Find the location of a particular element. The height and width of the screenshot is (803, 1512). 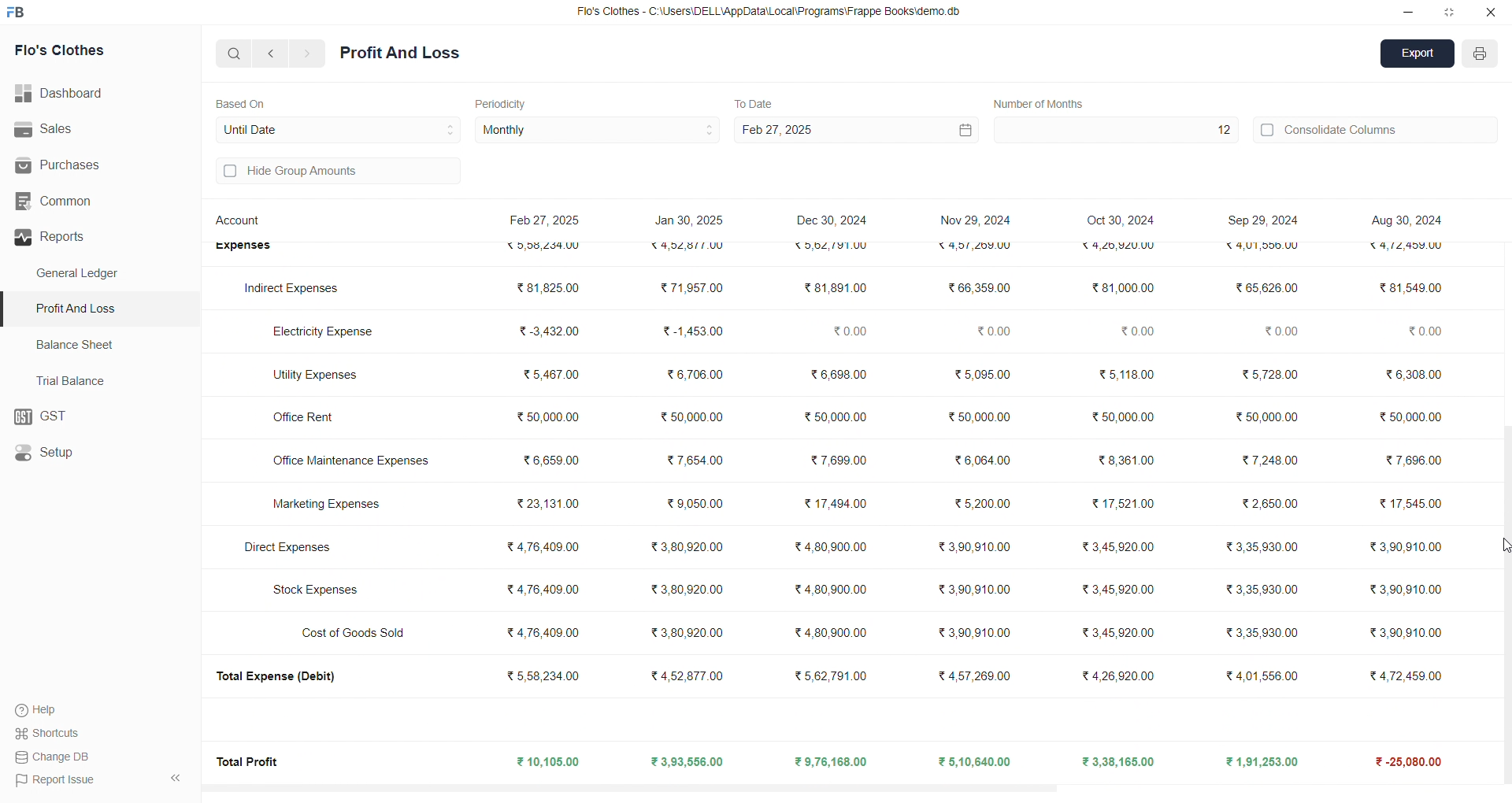

Hide Group Amounts is located at coordinates (335, 172).